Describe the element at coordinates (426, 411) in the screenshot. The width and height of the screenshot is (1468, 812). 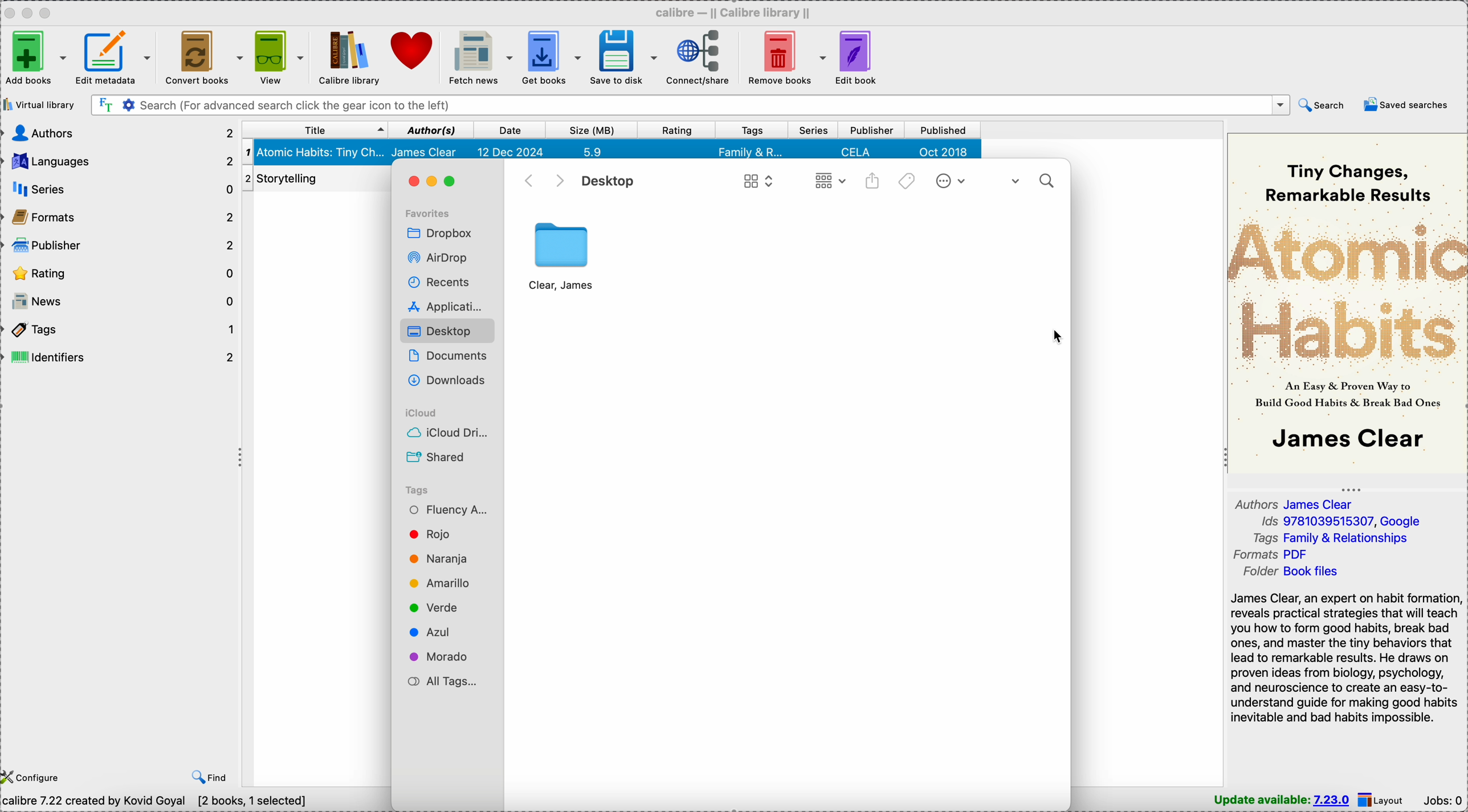
I see `iCloud` at that location.